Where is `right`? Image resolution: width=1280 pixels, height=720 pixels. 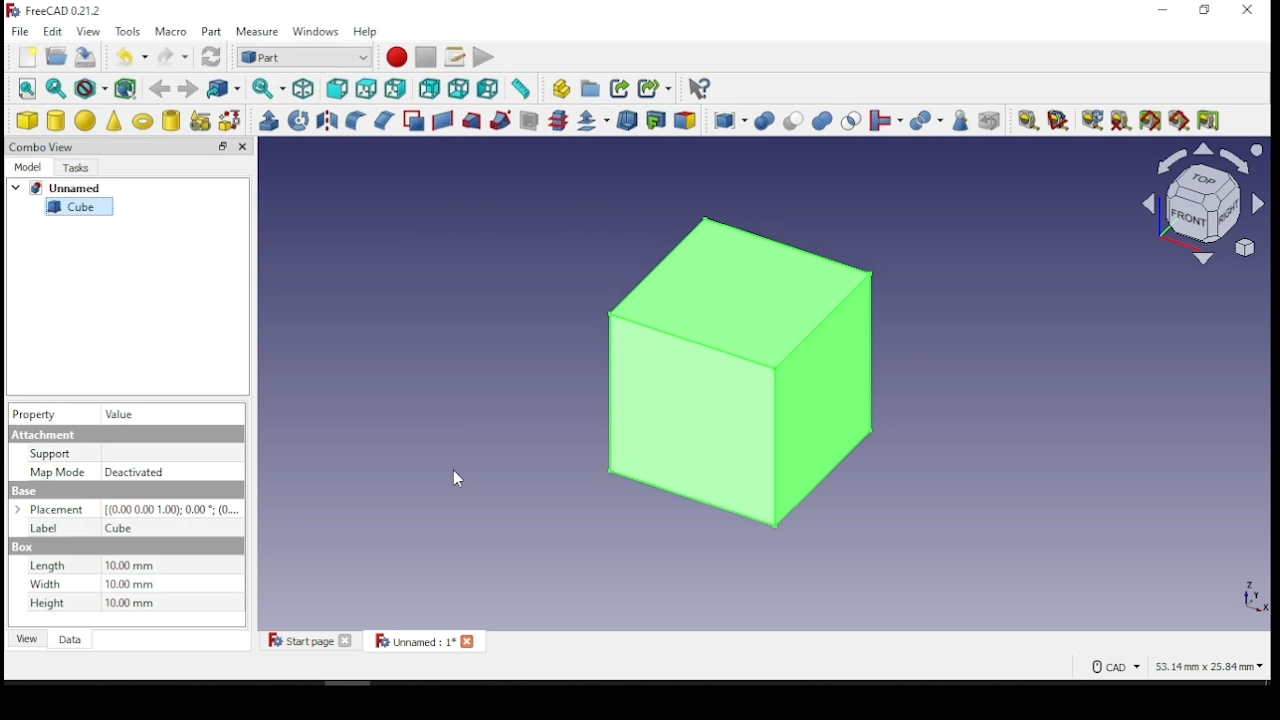 right is located at coordinates (397, 88).